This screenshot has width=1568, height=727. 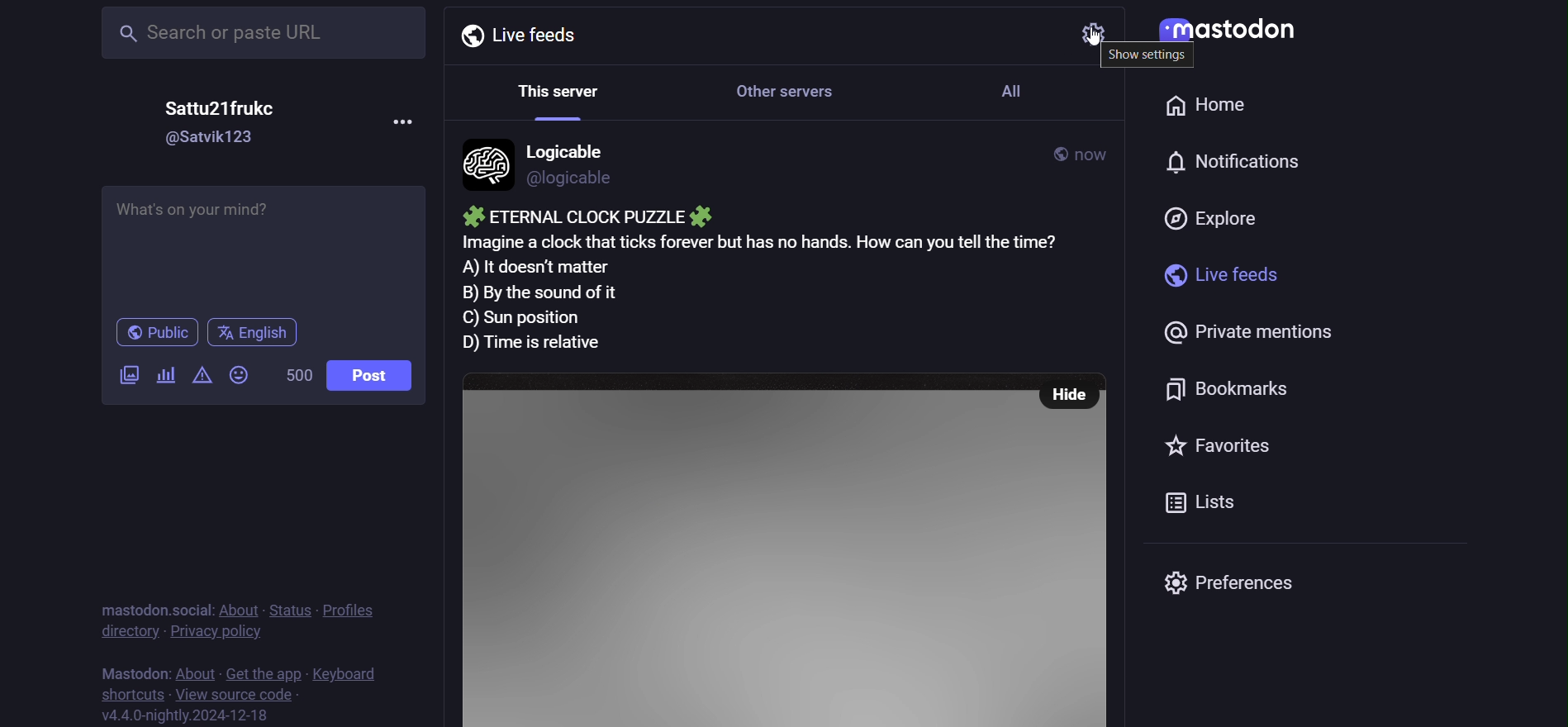 I want to click on status, so click(x=290, y=610).